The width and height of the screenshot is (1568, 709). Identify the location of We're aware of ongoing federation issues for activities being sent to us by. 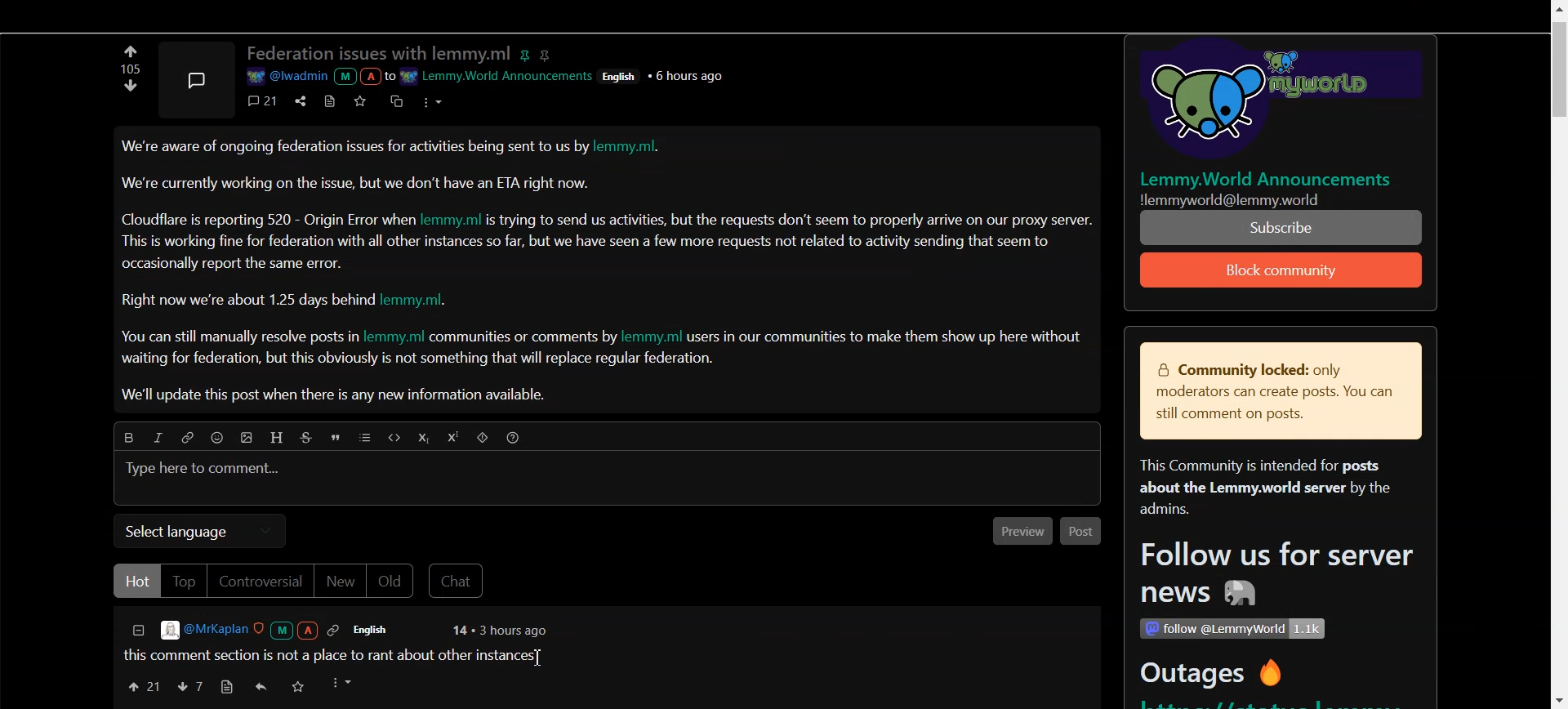
(355, 150).